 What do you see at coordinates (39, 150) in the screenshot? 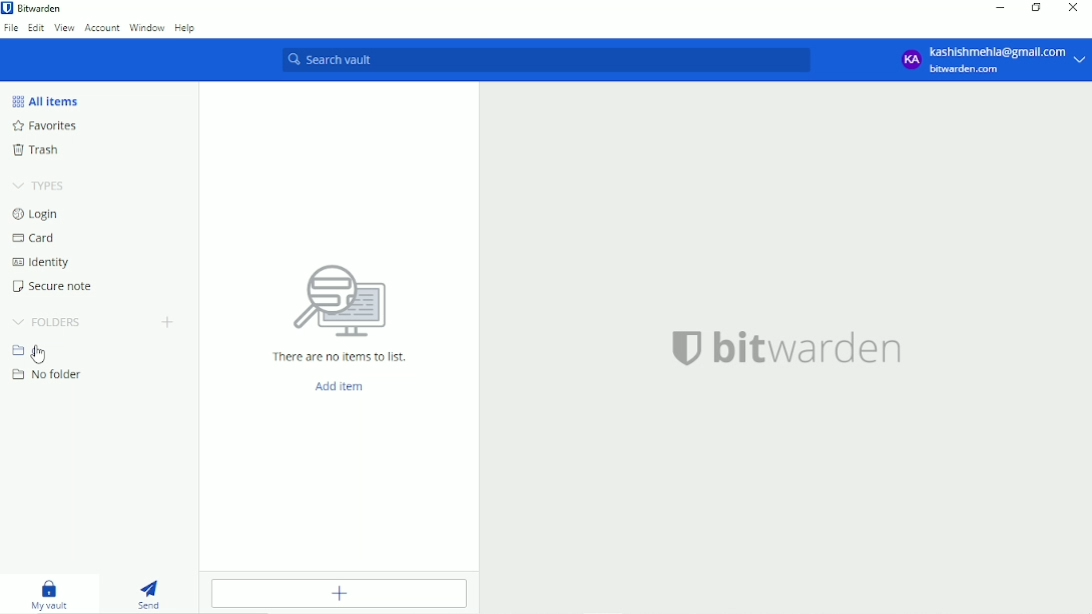
I see `Trash` at bounding box center [39, 150].